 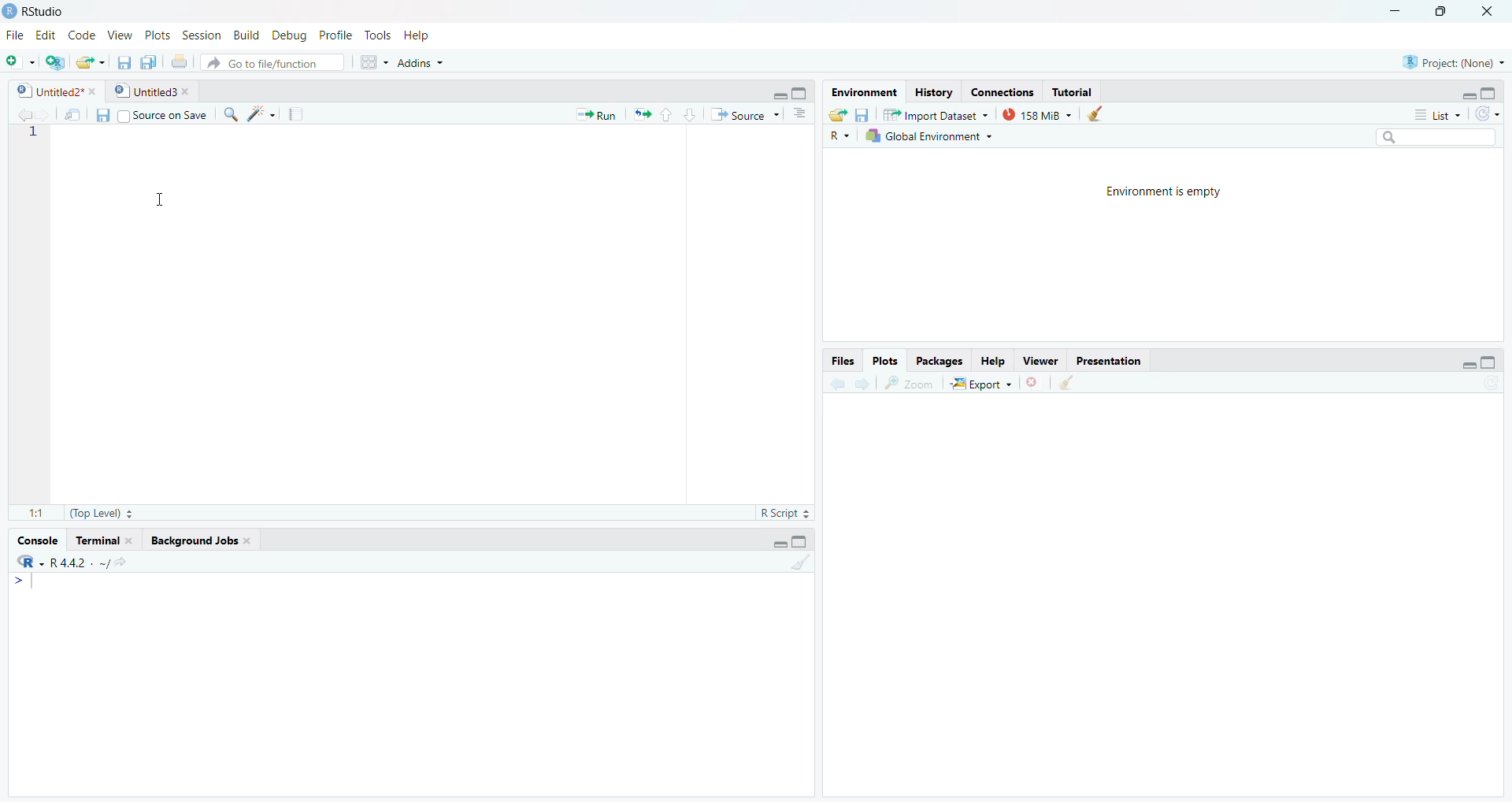 What do you see at coordinates (995, 362) in the screenshot?
I see `Help` at bounding box center [995, 362].